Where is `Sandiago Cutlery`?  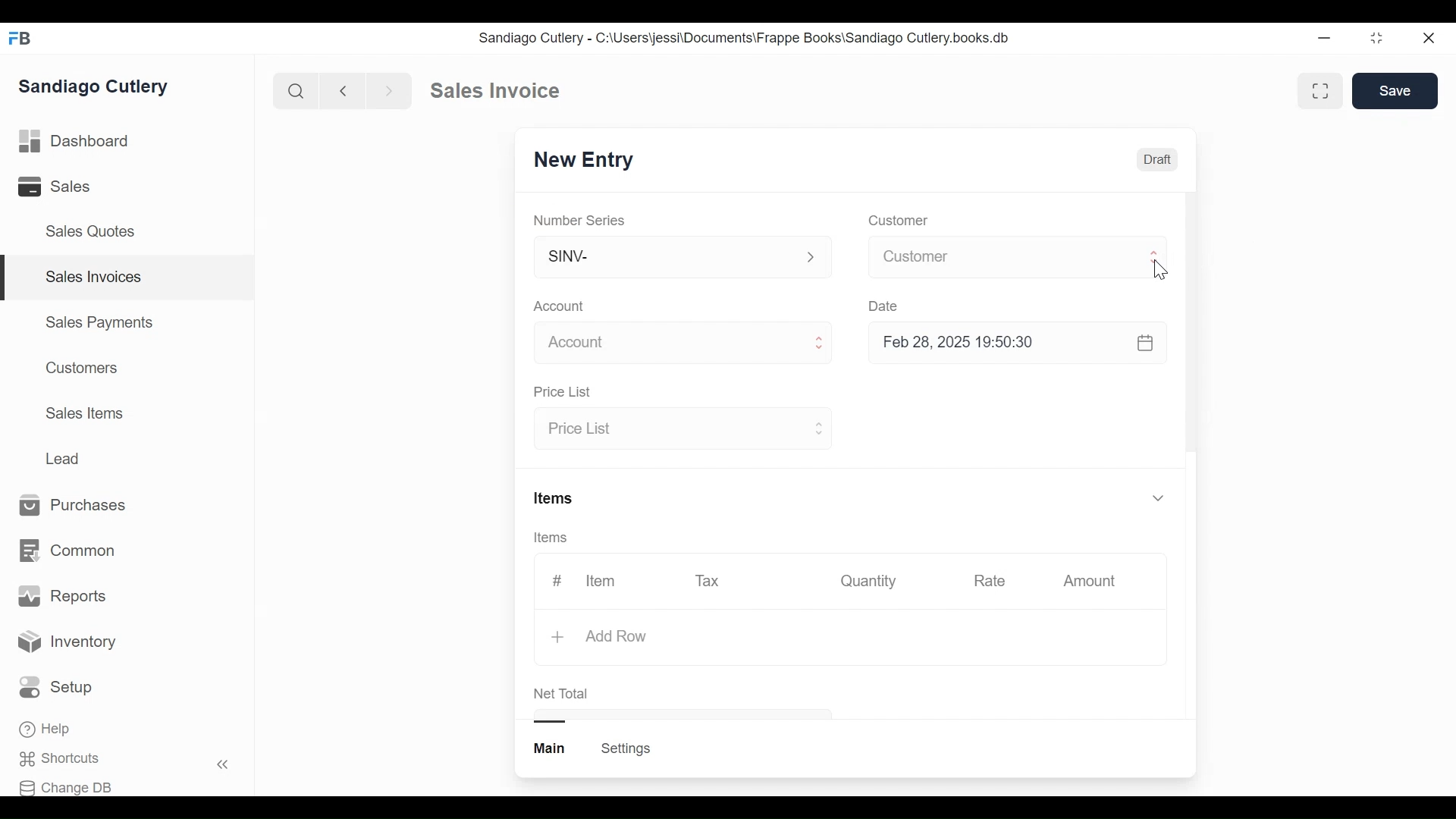
Sandiago Cutlery is located at coordinates (98, 86).